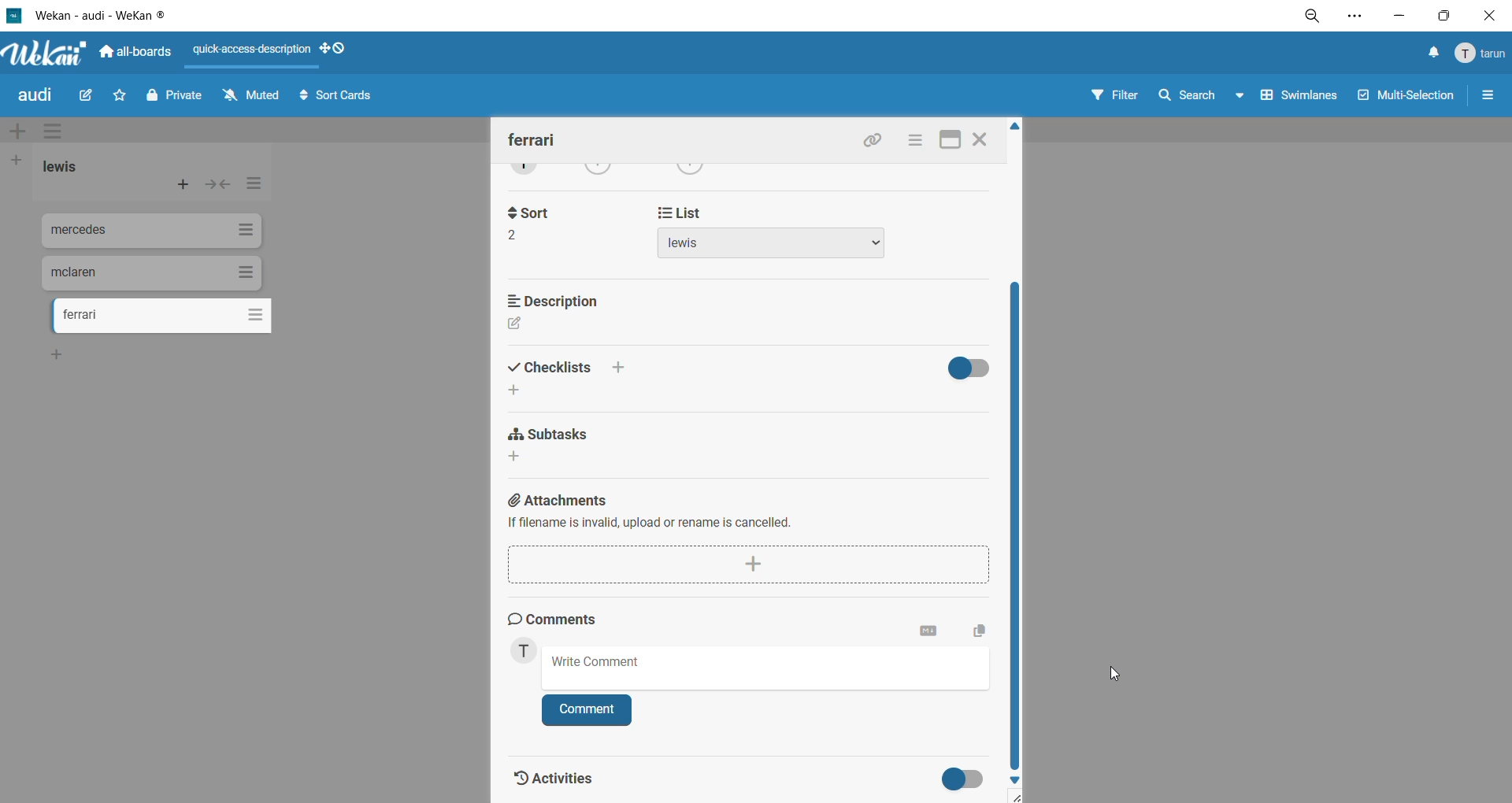 This screenshot has height=803, width=1512. Describe the element at coordinates (771, 231) in the screenshot. I see `list` at that location.